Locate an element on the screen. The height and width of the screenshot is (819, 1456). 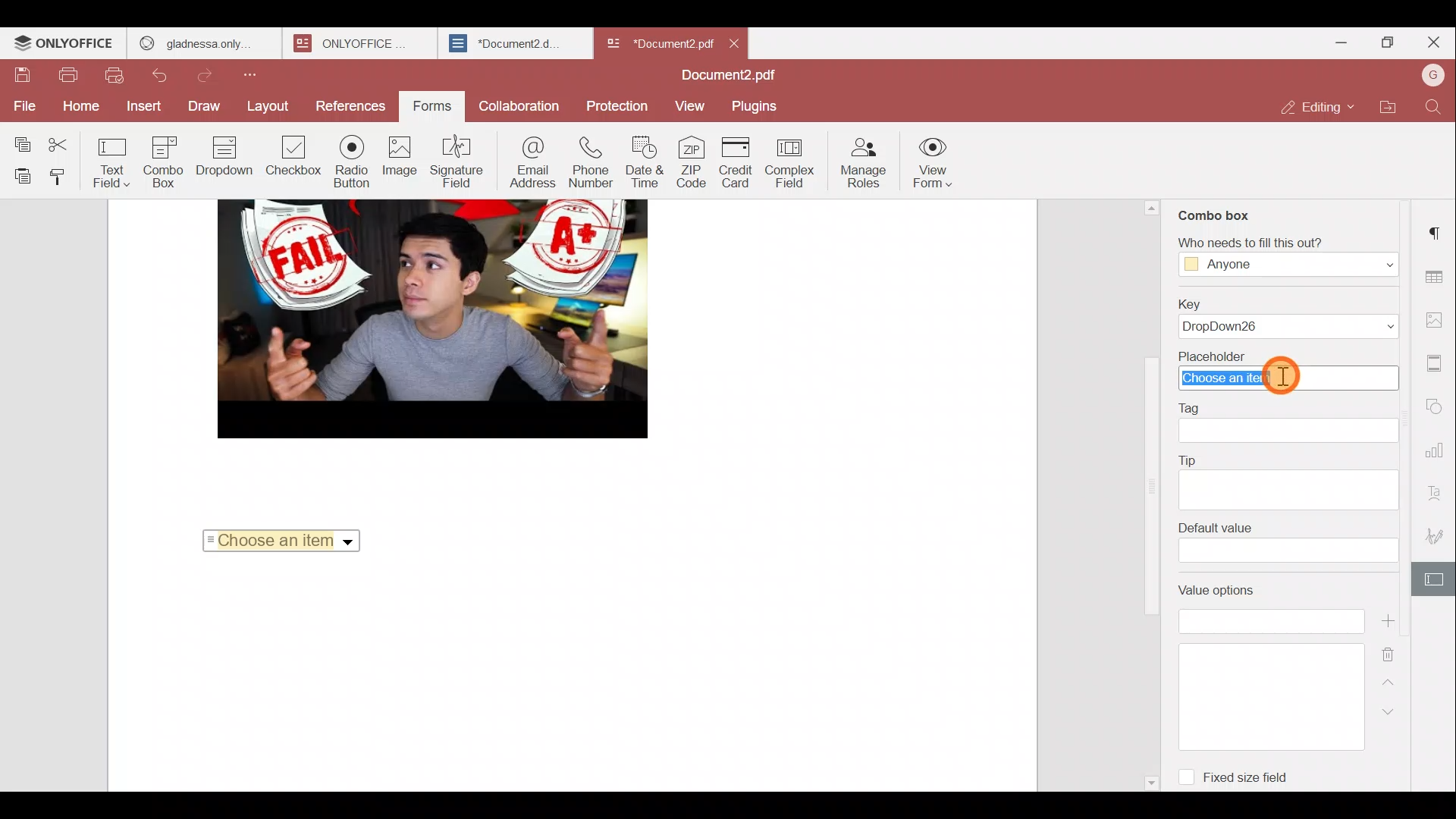
Close is located at coordinates (736, 41).